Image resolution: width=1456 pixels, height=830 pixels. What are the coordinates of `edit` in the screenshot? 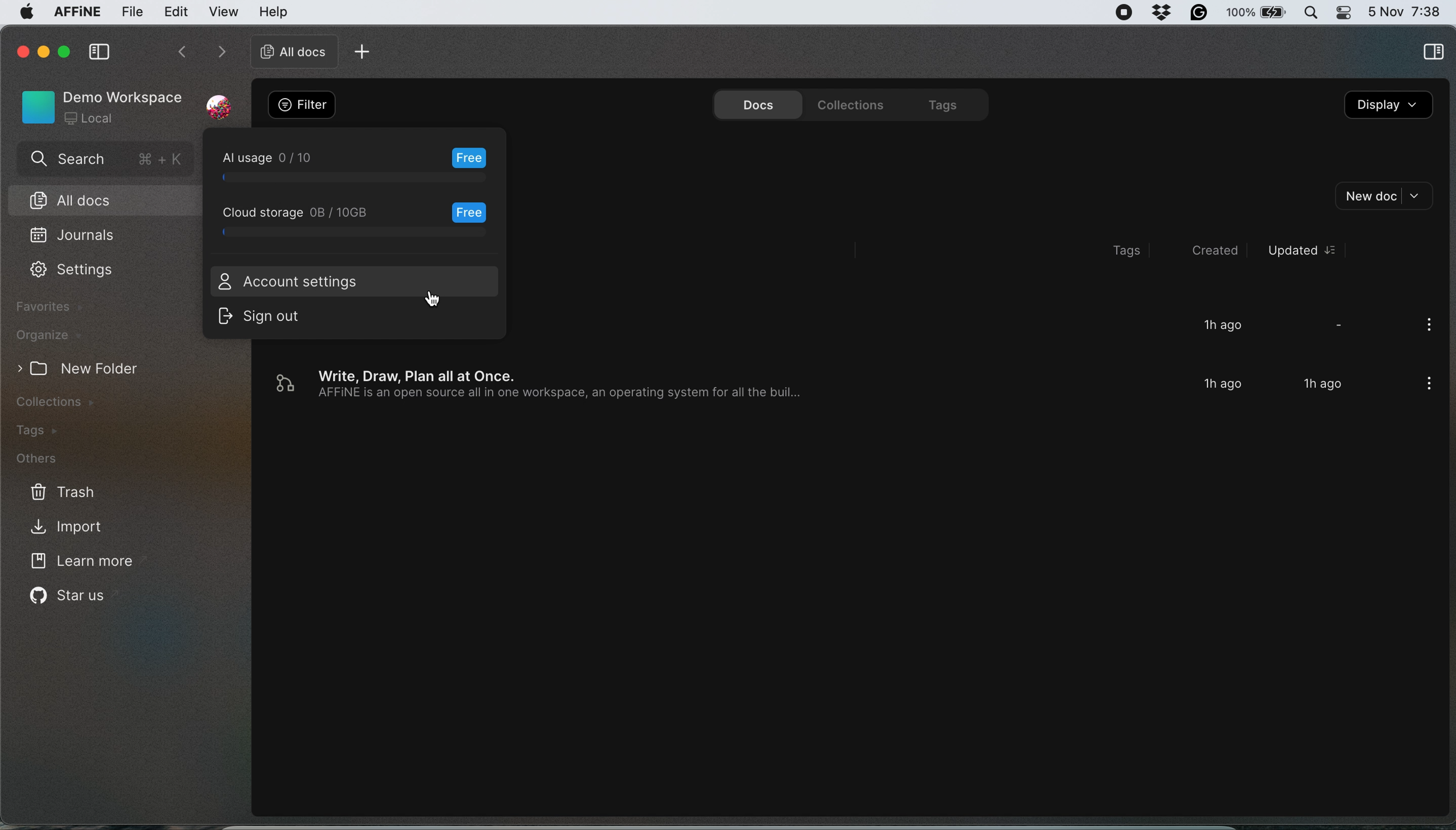 It's located at (176, 13).